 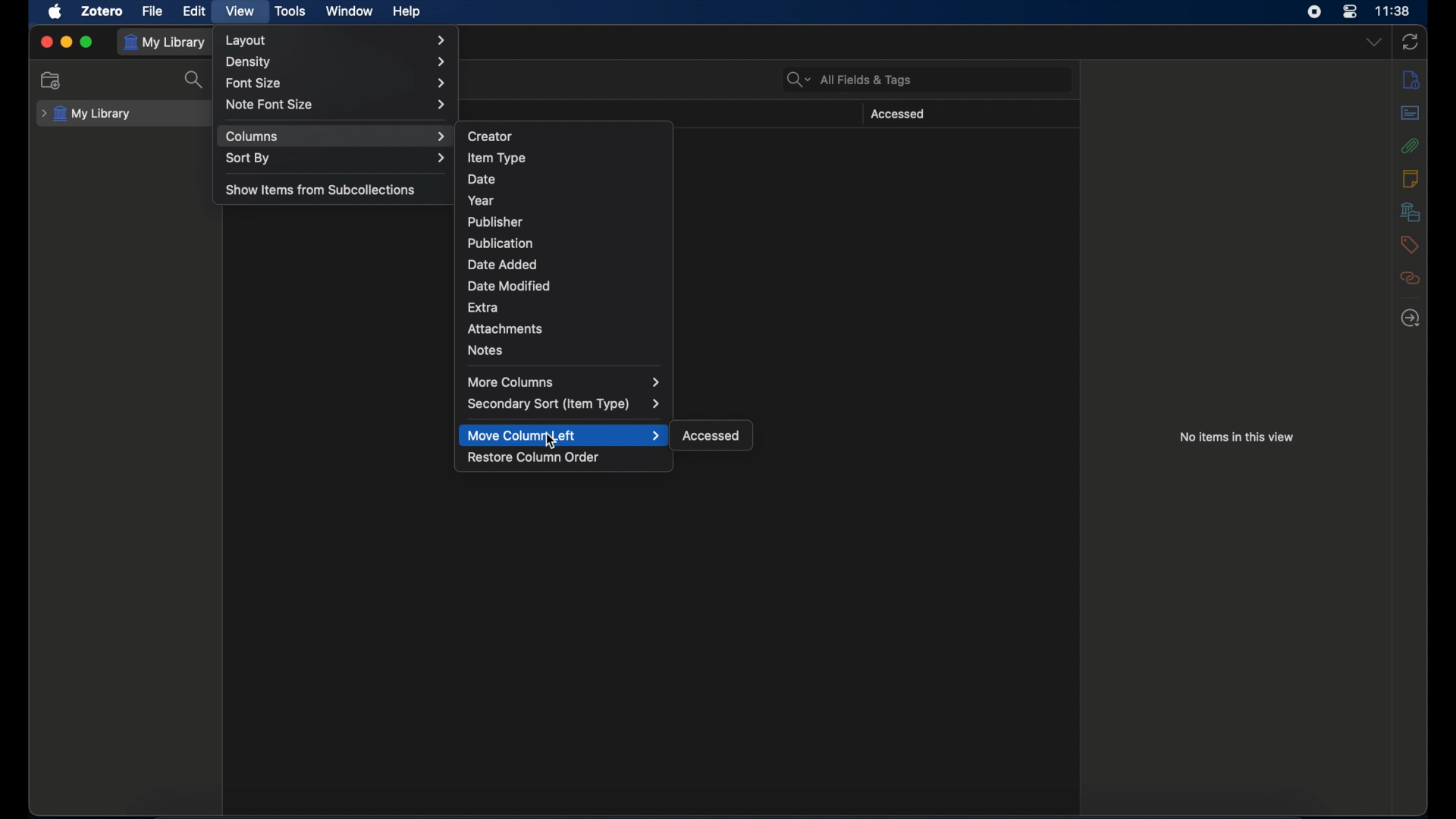 I want to click on year, so click(x=481, y=200).